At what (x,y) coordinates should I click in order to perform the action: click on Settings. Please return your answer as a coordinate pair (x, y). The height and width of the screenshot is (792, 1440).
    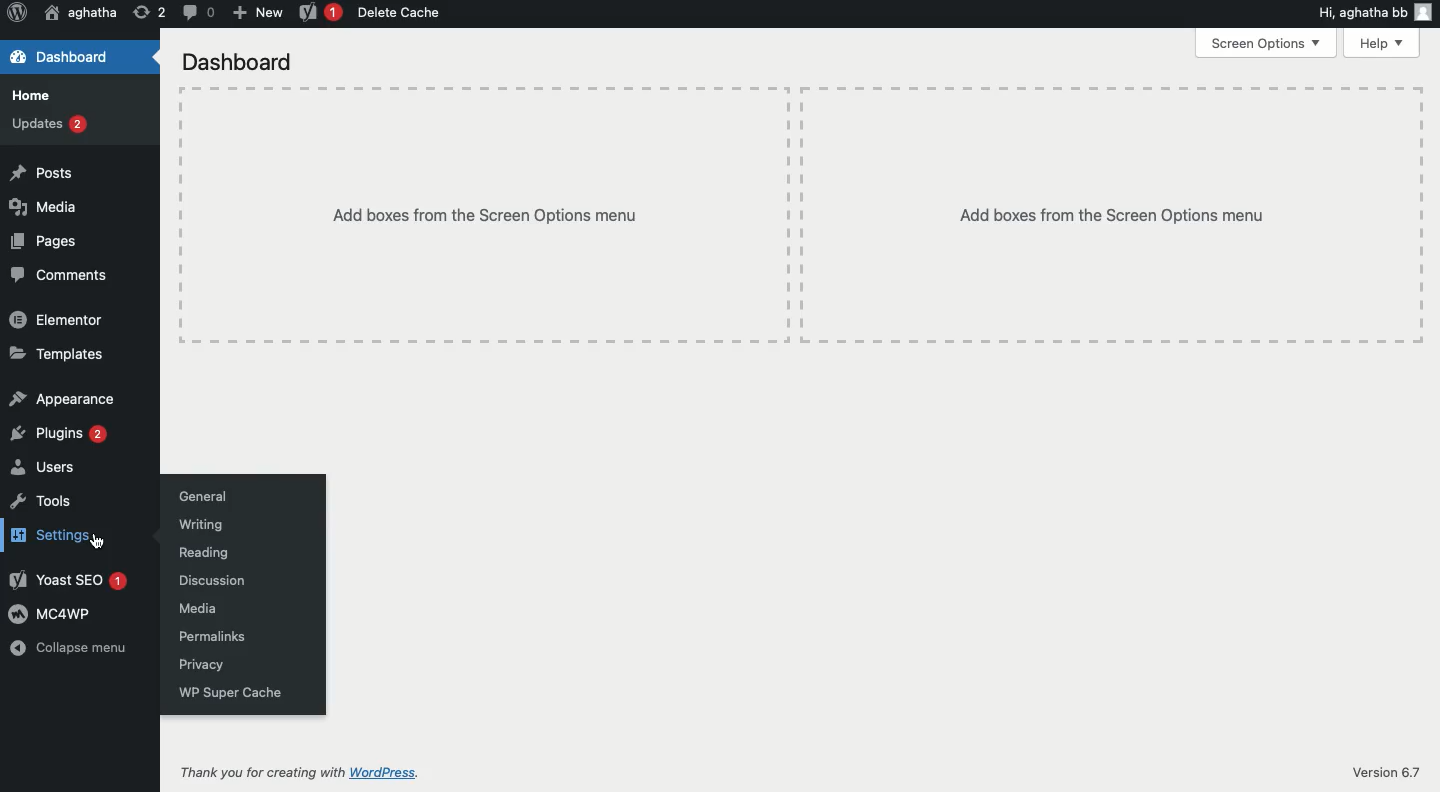
    Looking at the image, I should click on (57, 539).